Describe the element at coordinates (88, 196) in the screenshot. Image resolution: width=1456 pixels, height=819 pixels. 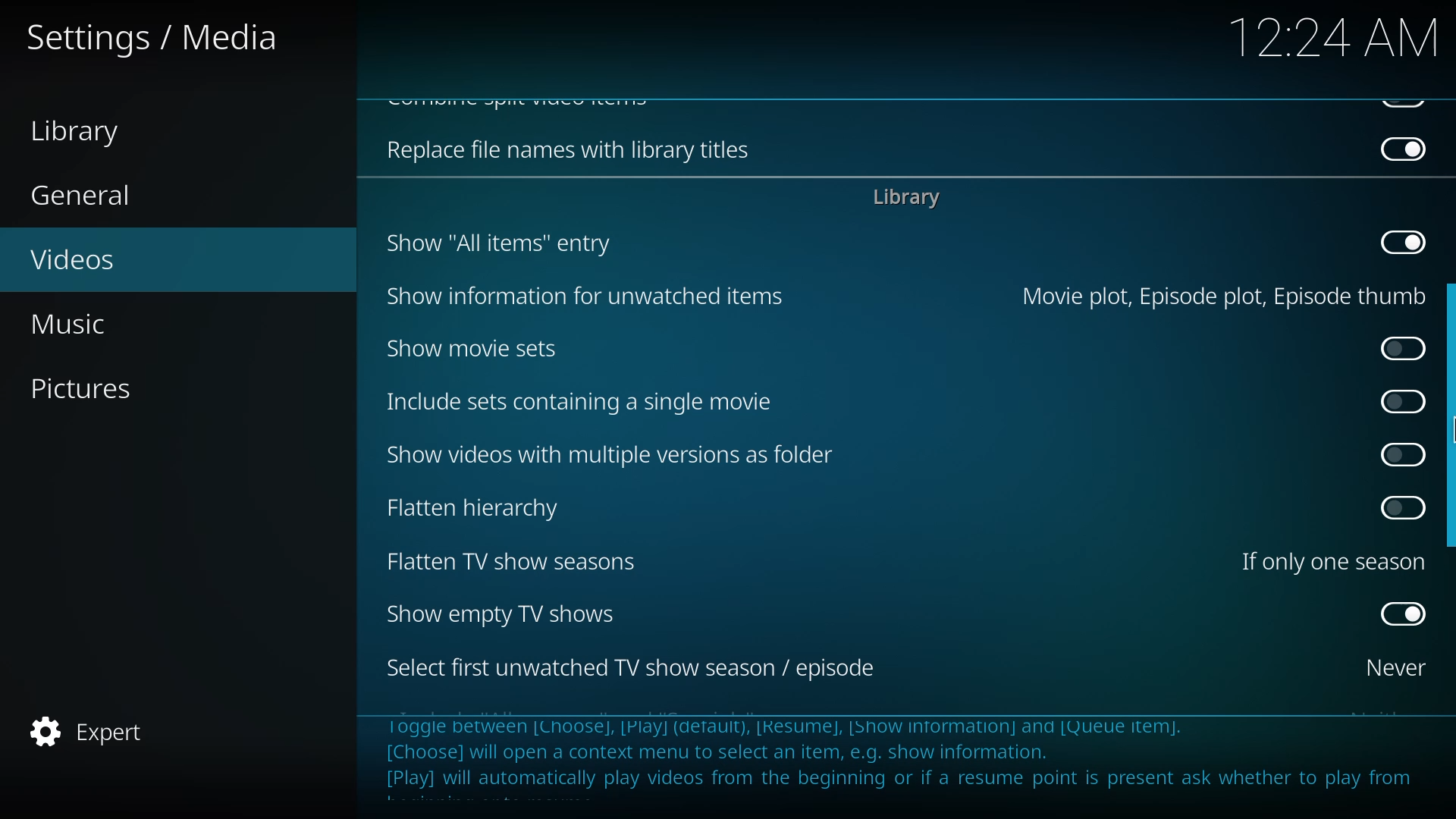
I see `general` at that location.